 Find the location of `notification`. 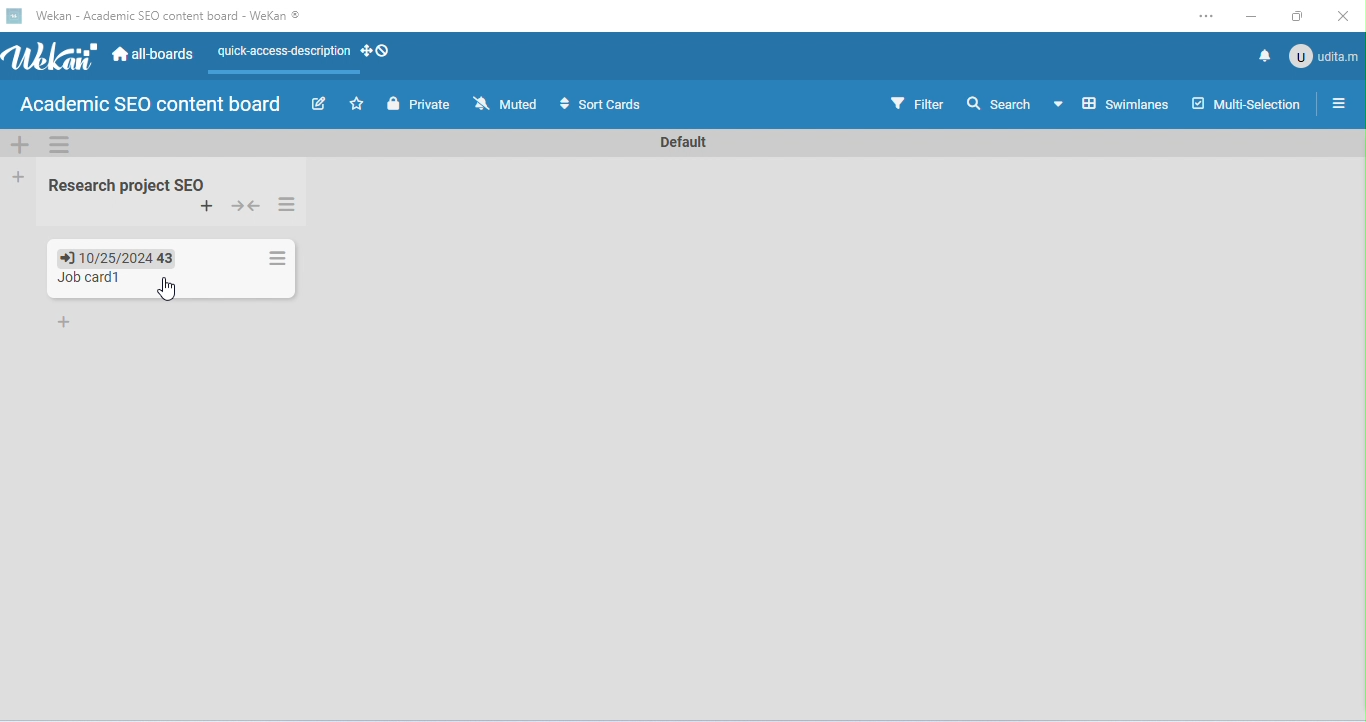

notification is located at coordinates (1262, 55).